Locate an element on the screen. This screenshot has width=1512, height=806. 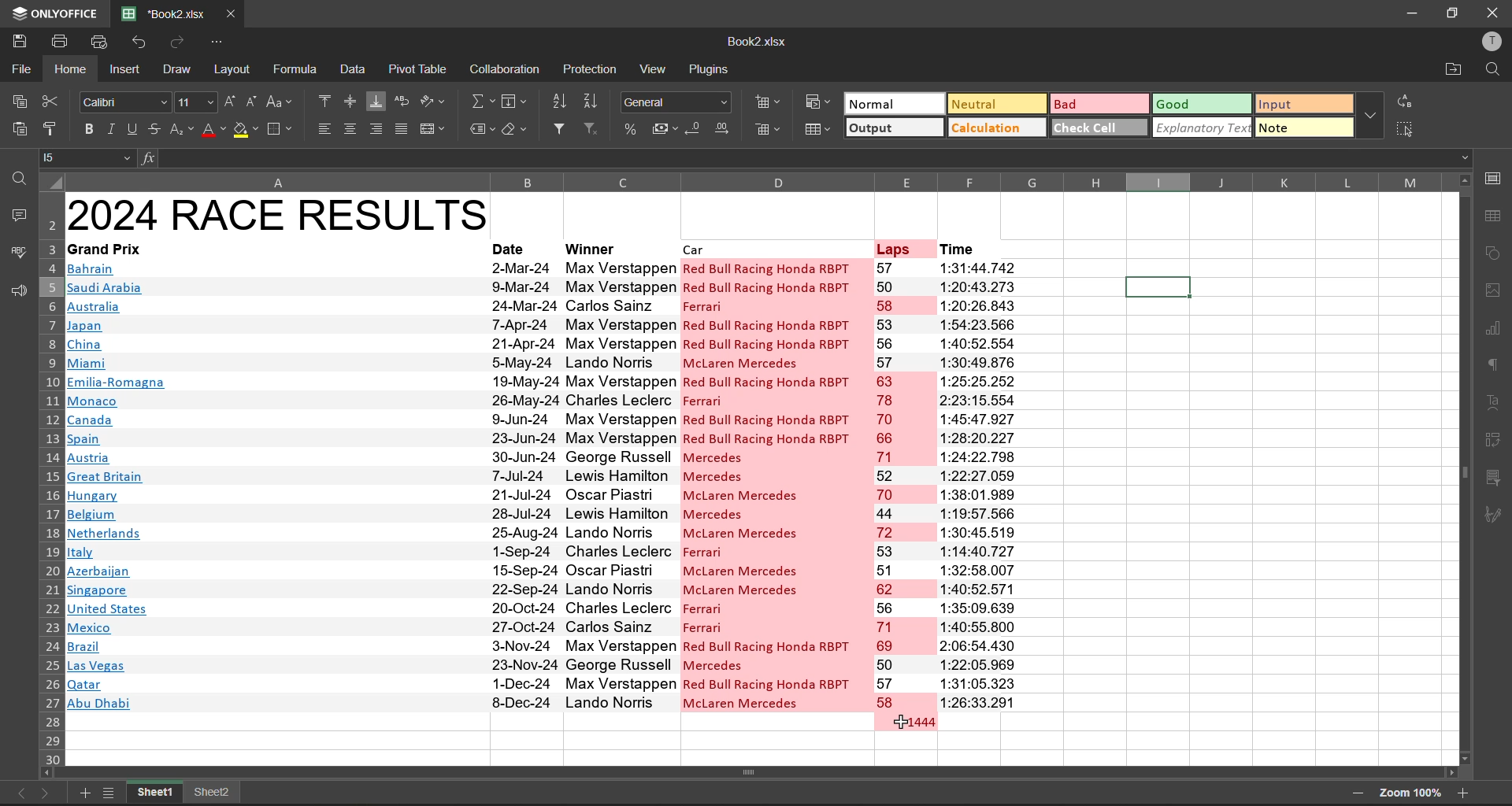
align center is located at coordinates (354, 128).